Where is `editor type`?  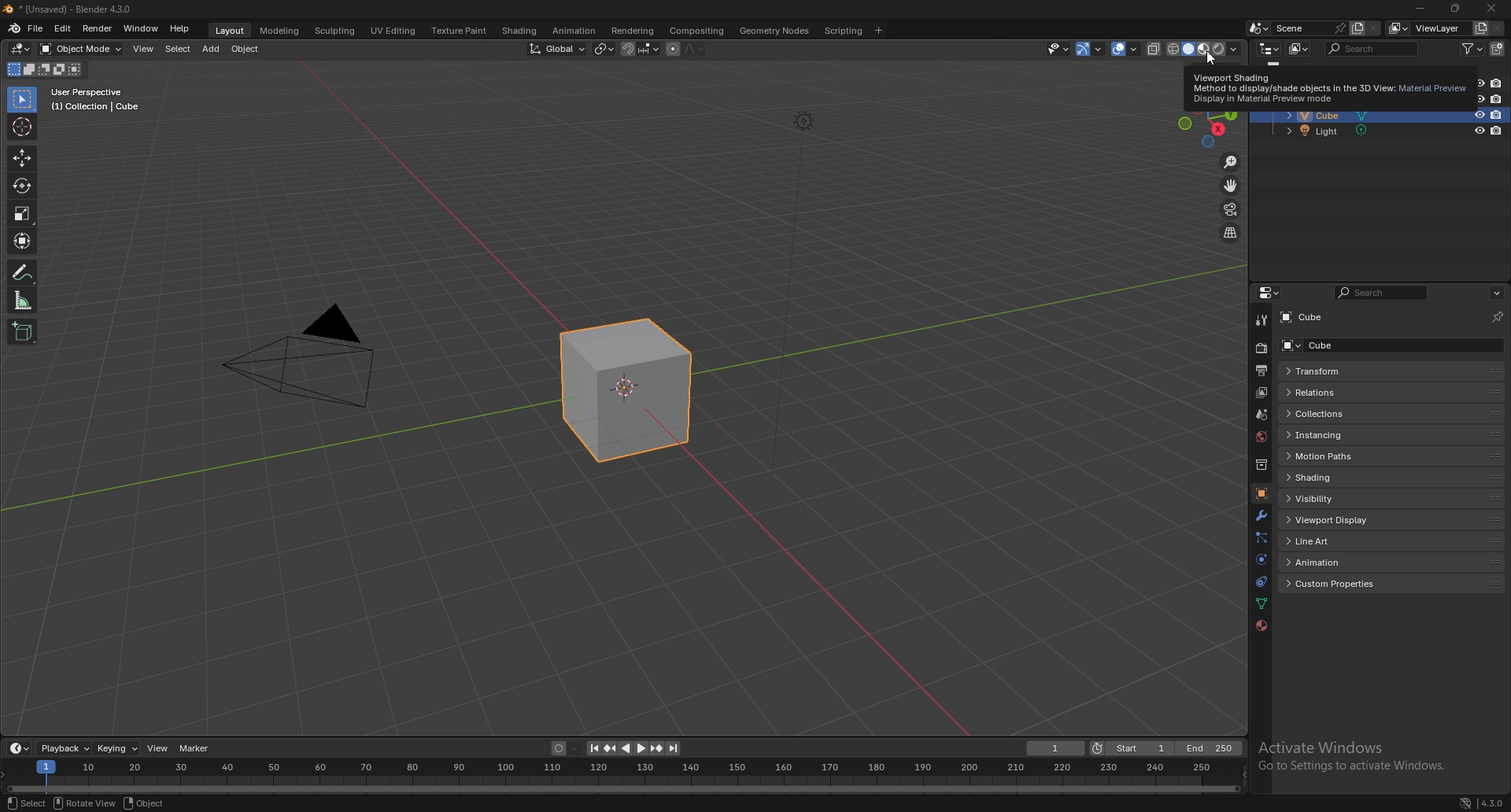 editor type is located at coordinates (1269, 48).